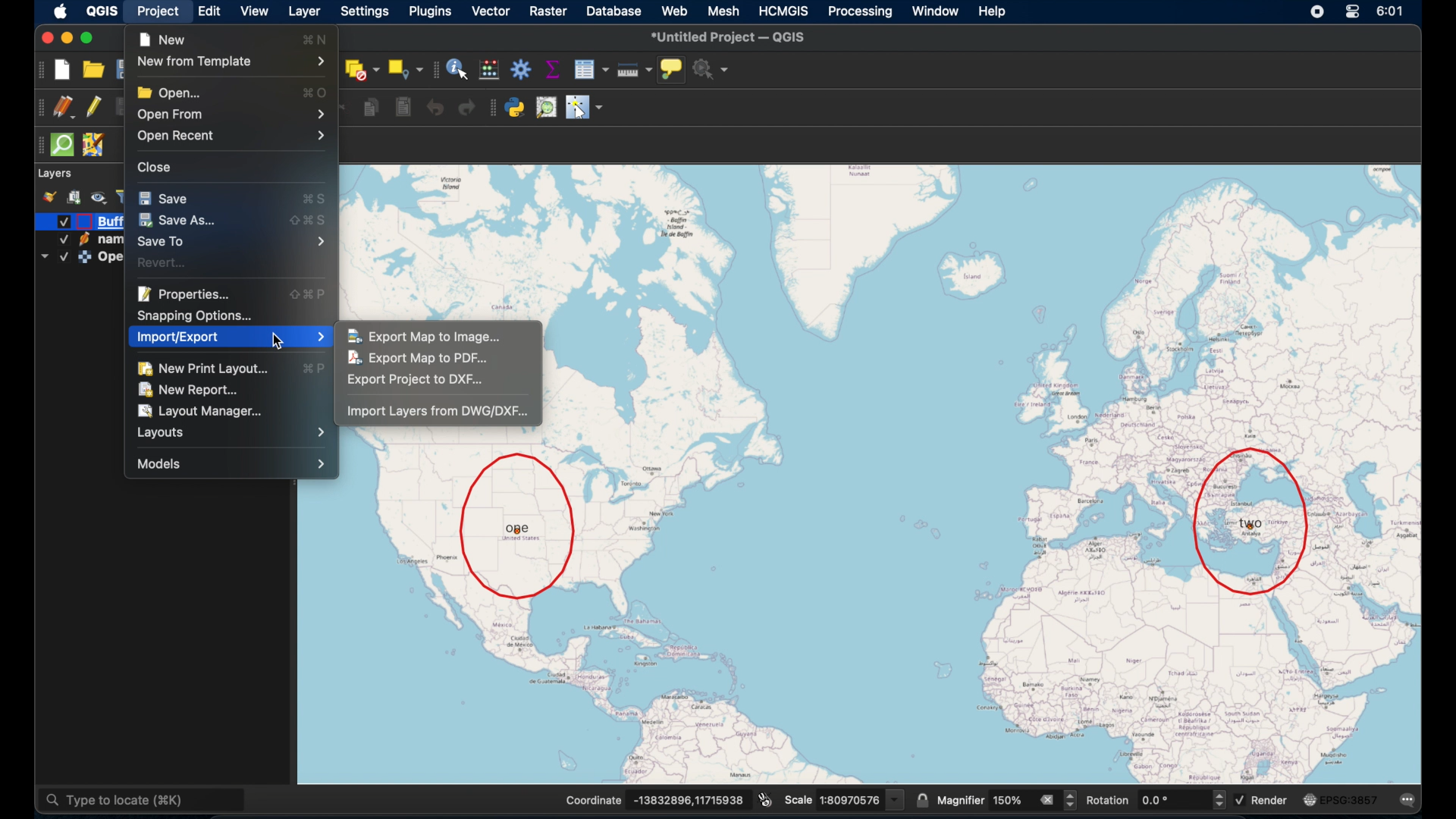 The height and width of the screenshot is (819, 1456). What do you see at coordinates (203, 411) in the screenshot?
I see `layout manager` at bounding box center [203, 411].